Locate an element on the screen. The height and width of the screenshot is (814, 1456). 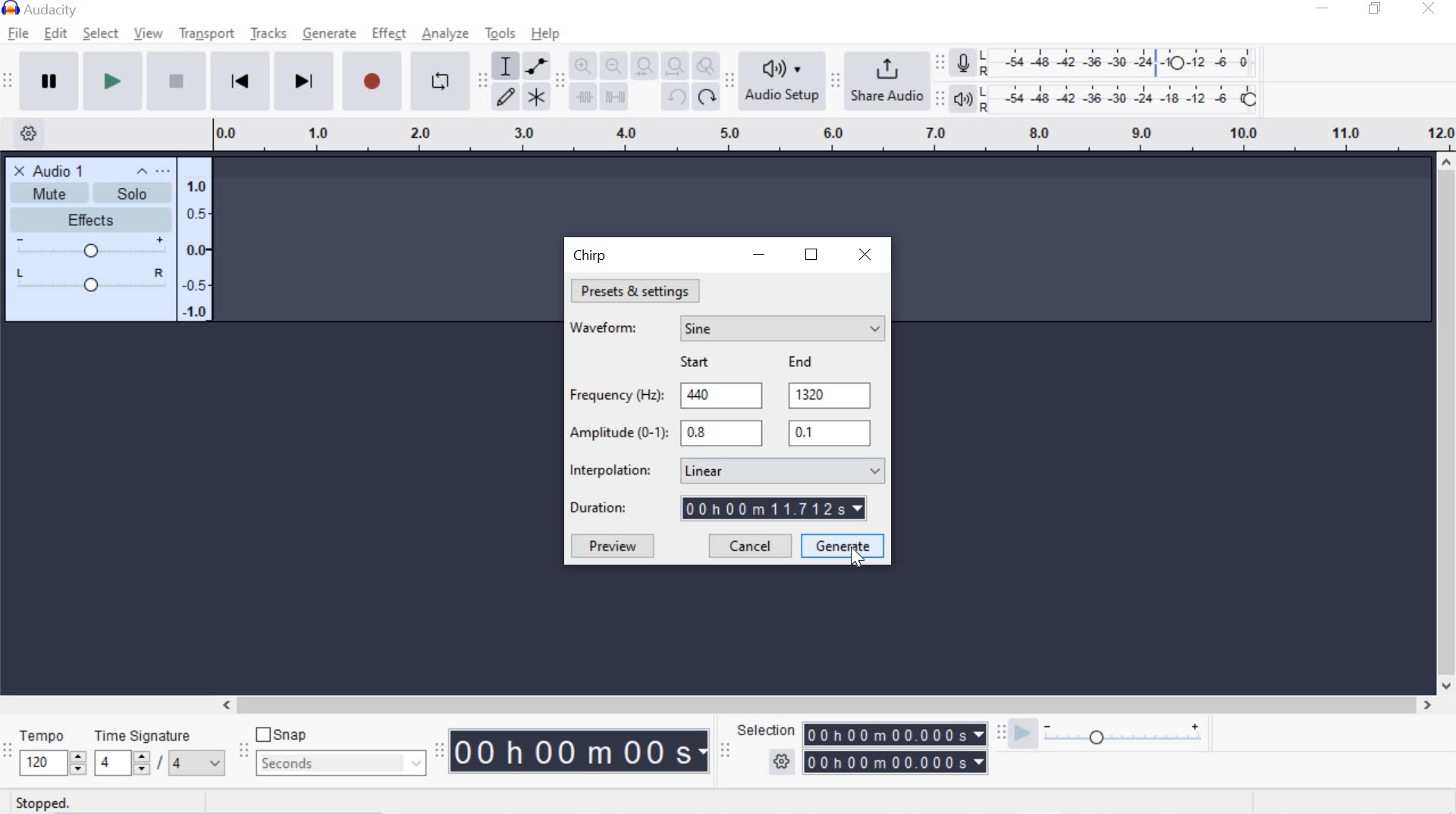
Zoom Toggle is located at coordinates (704, 68).